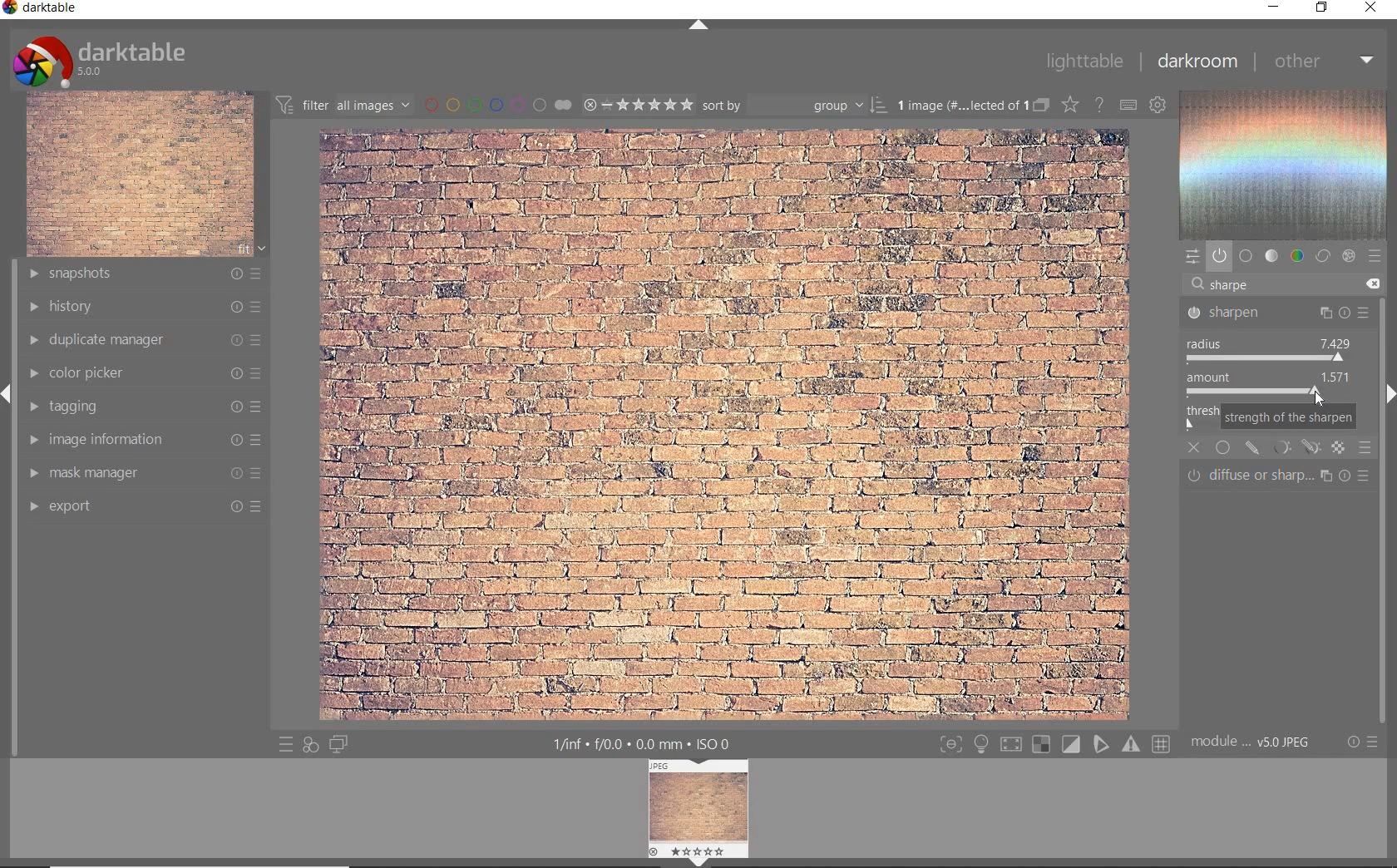  Describe the element at coordinates (144, 509) in the screenshot. I see `export` at that location.